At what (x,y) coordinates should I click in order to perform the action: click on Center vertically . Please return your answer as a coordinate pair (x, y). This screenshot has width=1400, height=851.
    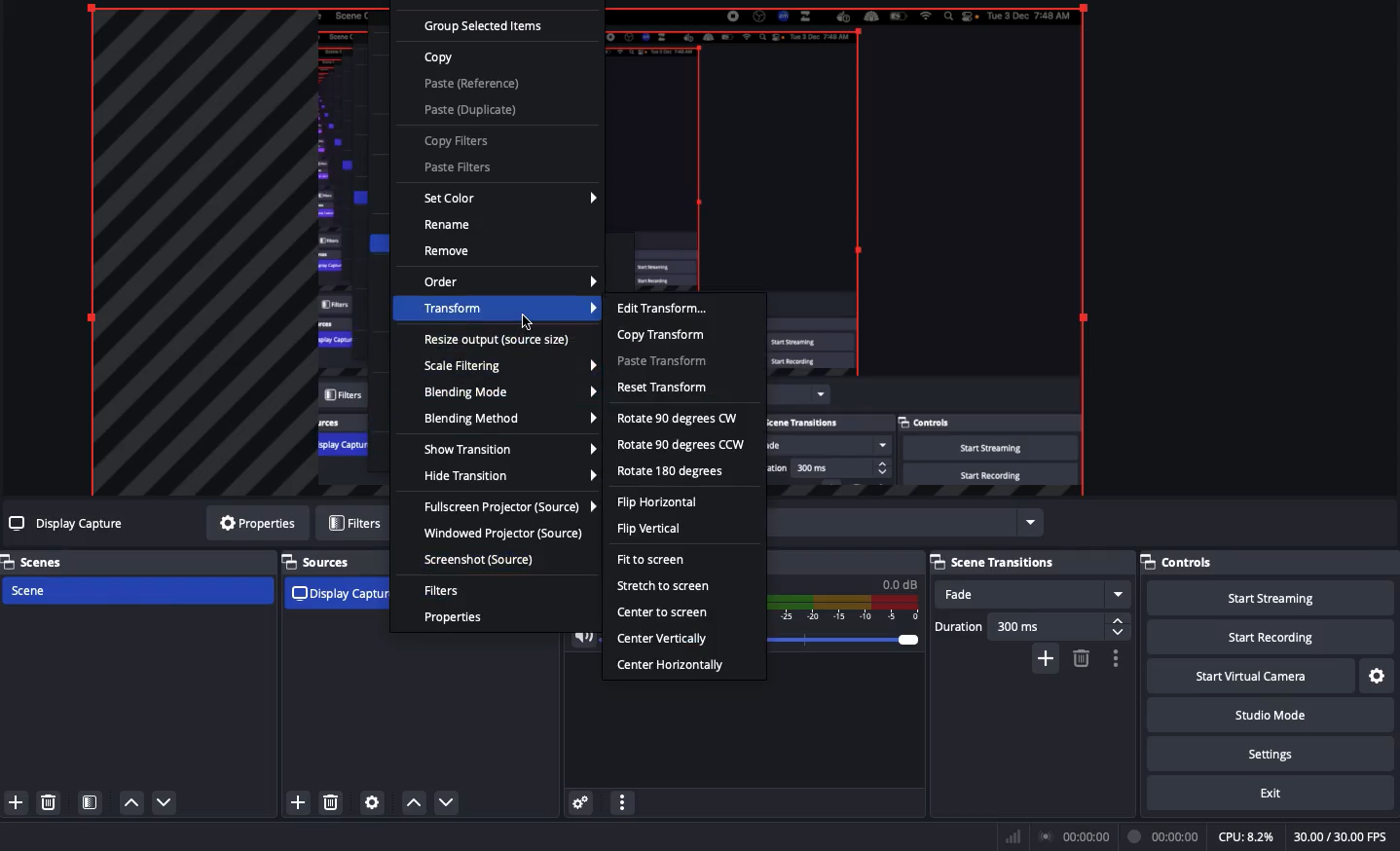
    Looking at the image, I should click on (665, 638).